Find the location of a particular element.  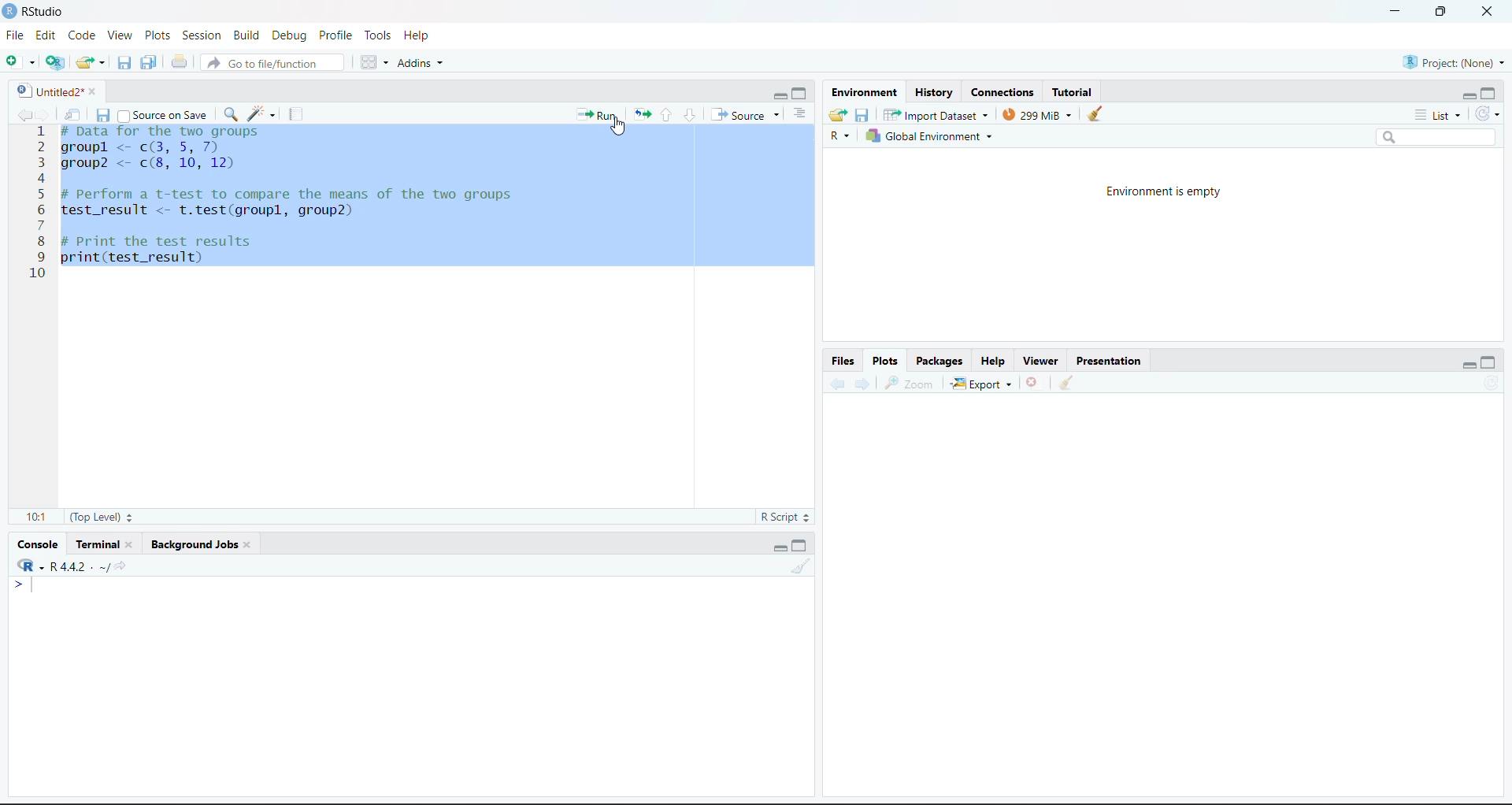

show in new window is located at coordinates (75, 116).